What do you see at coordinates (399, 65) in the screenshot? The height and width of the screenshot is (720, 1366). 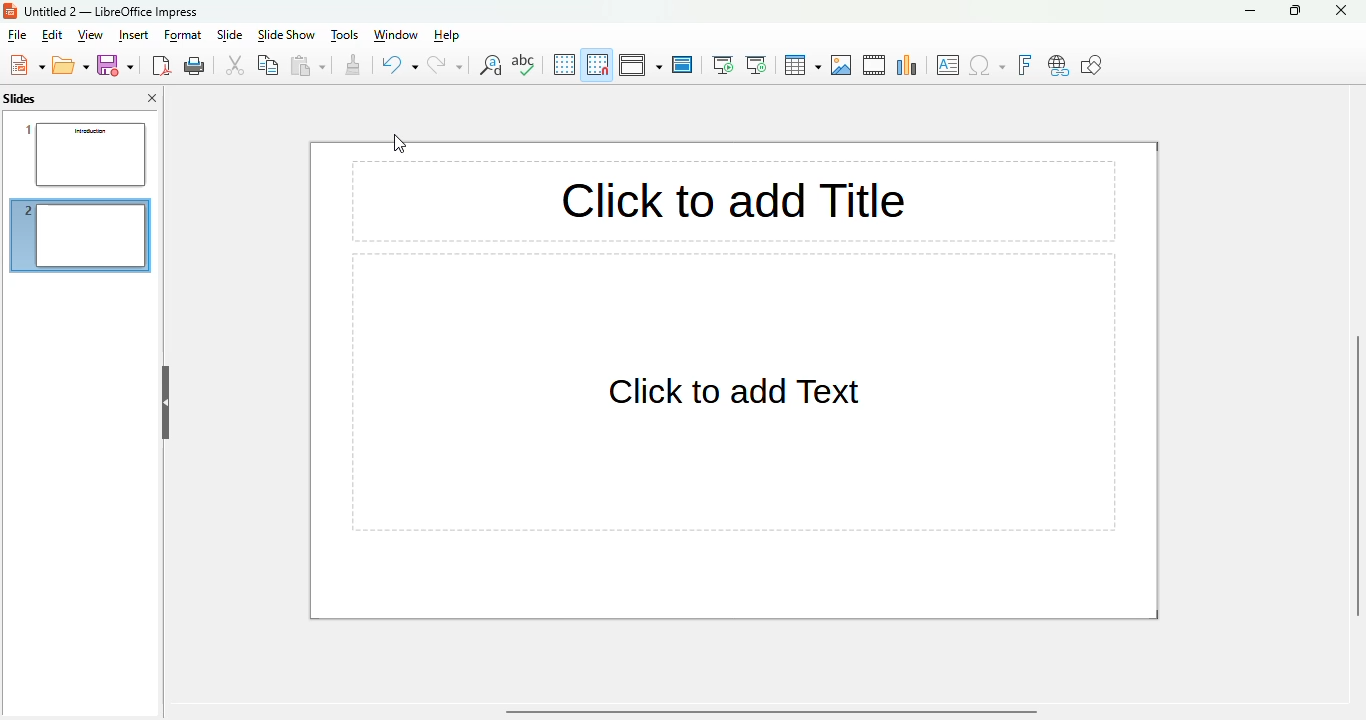 I see `undo` at bounding box center [399, 65].